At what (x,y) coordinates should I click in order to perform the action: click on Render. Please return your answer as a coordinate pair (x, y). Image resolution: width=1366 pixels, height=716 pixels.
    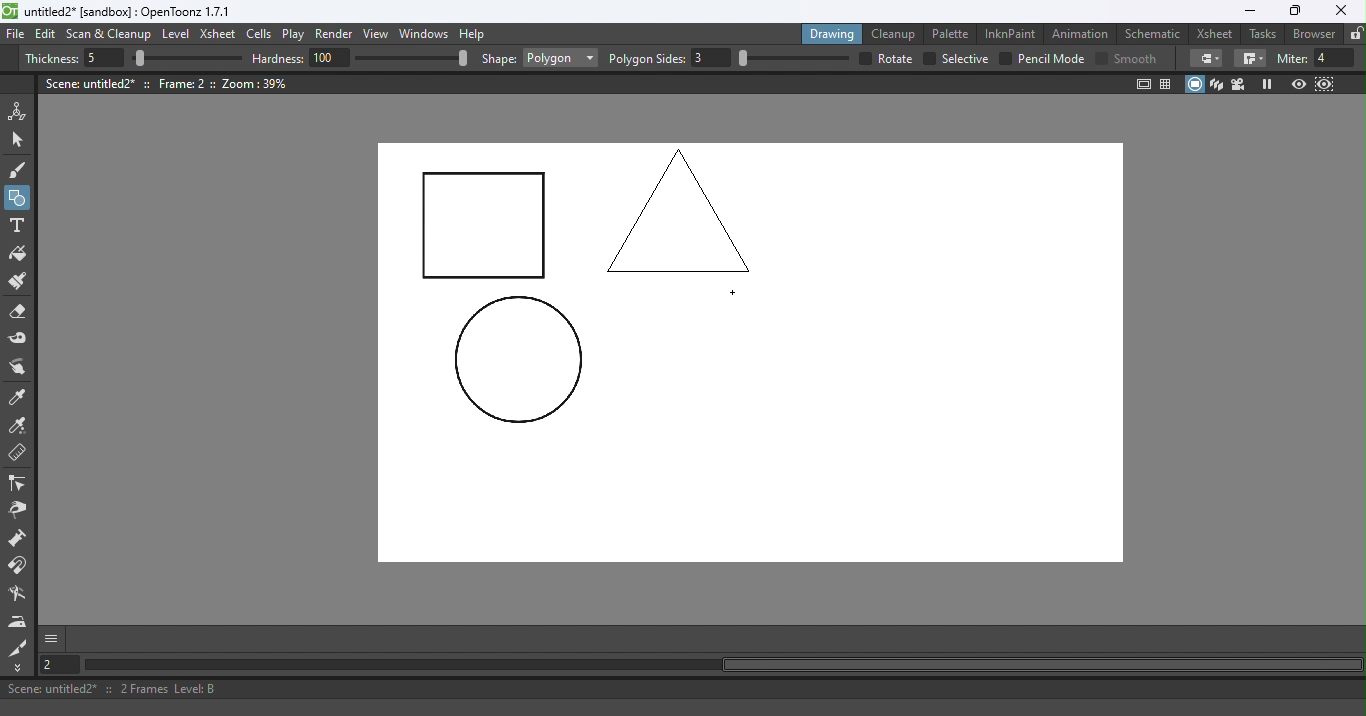
    Looking at the image, I should click on (337, 35).